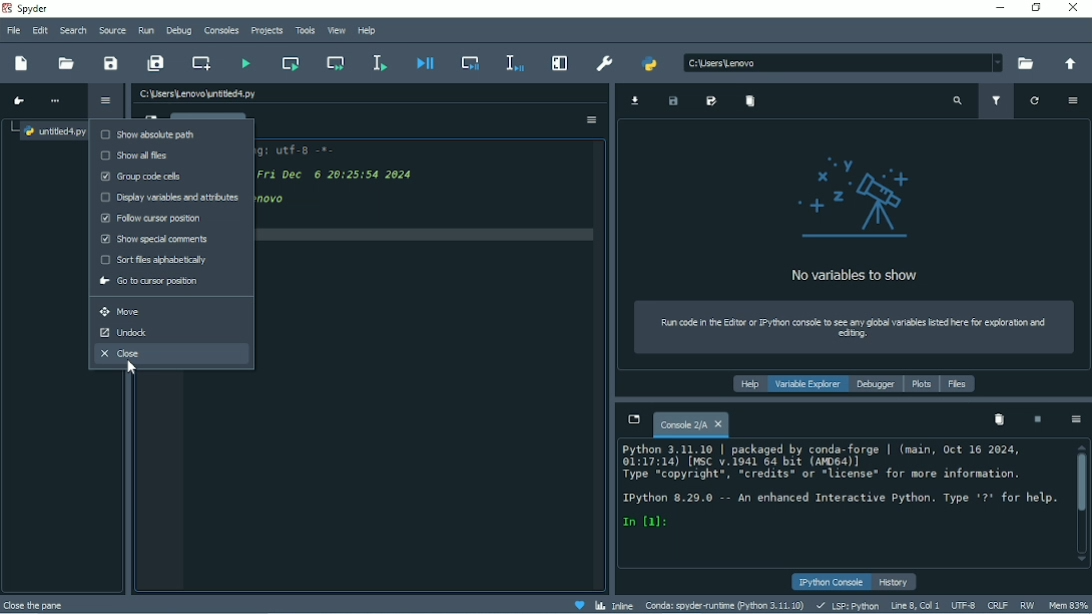 Image resolution: width=1092 pixels, height=614 pixels. Describe the element at coordinates (54, 132) in the screenshot. I see `File name` at that location.